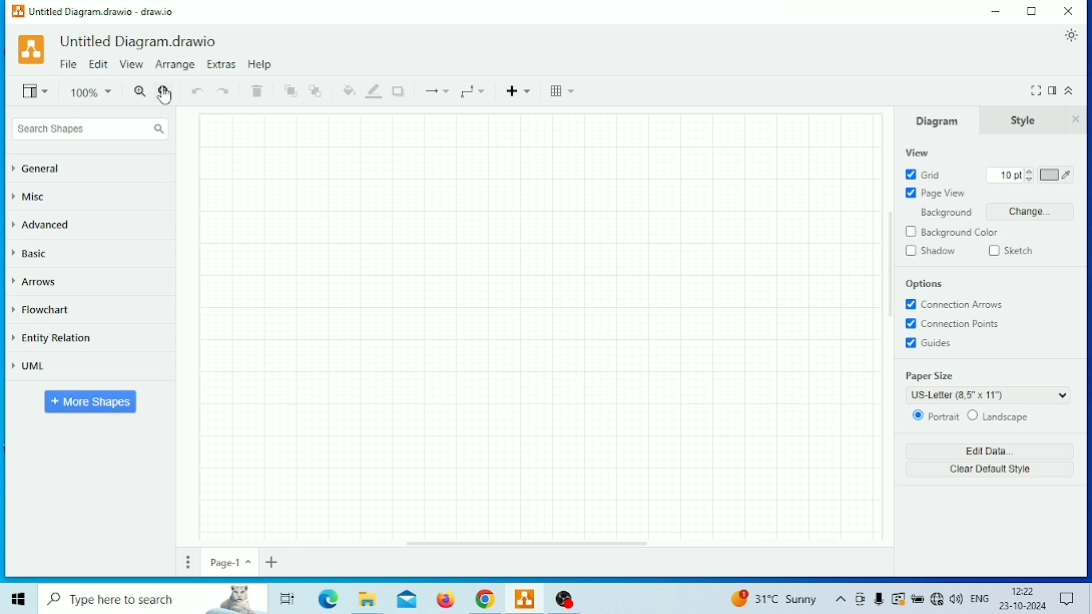 The width and height of the screenshot is (1092, 614). What do you see at coordinates (987, 386) in the screenshot?
I see `Paper Size` at bounding box center [987, 386].